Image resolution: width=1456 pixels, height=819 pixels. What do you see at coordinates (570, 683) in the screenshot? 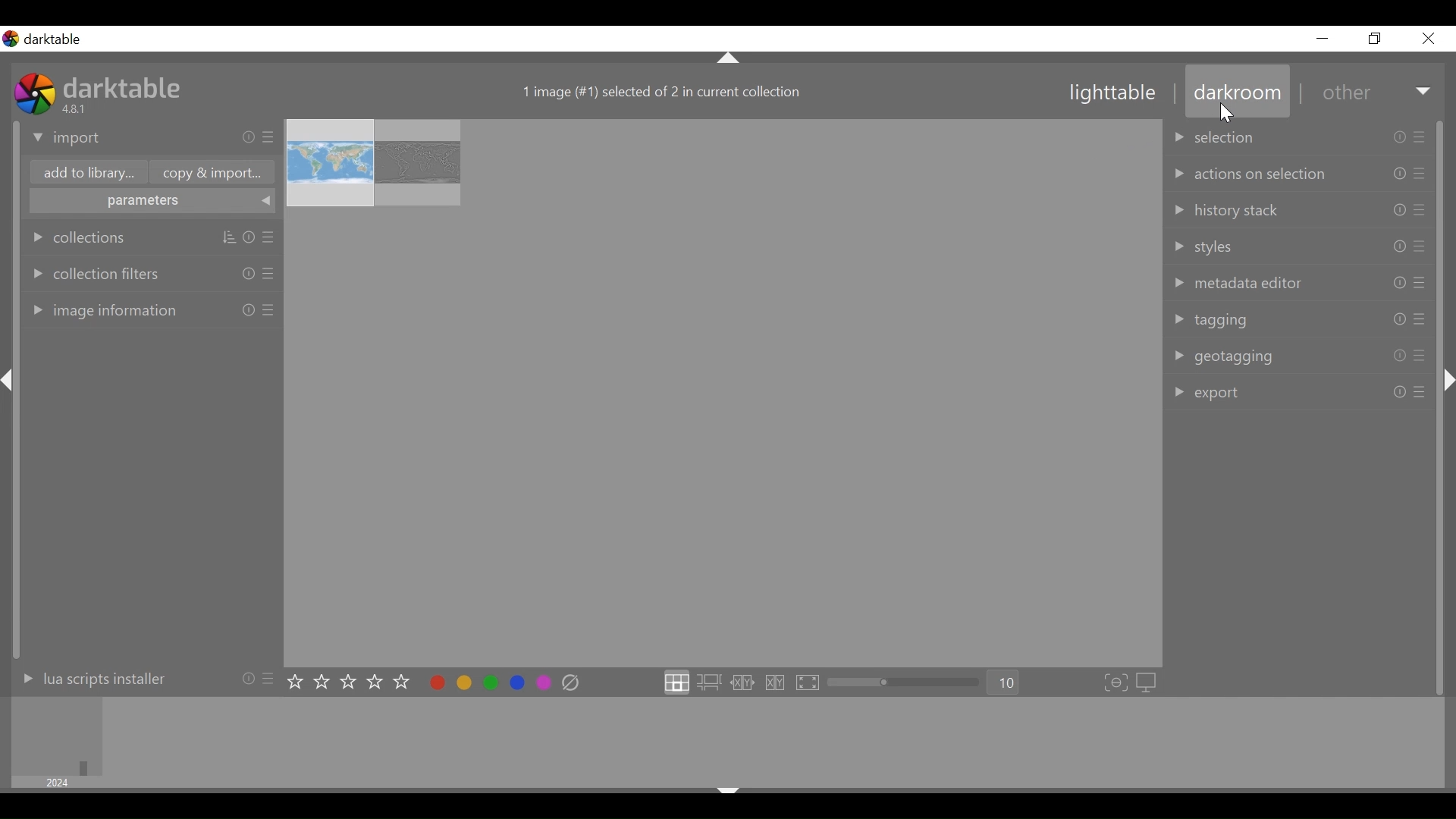
I see `clear color labels` at bounding box center [570, 683].